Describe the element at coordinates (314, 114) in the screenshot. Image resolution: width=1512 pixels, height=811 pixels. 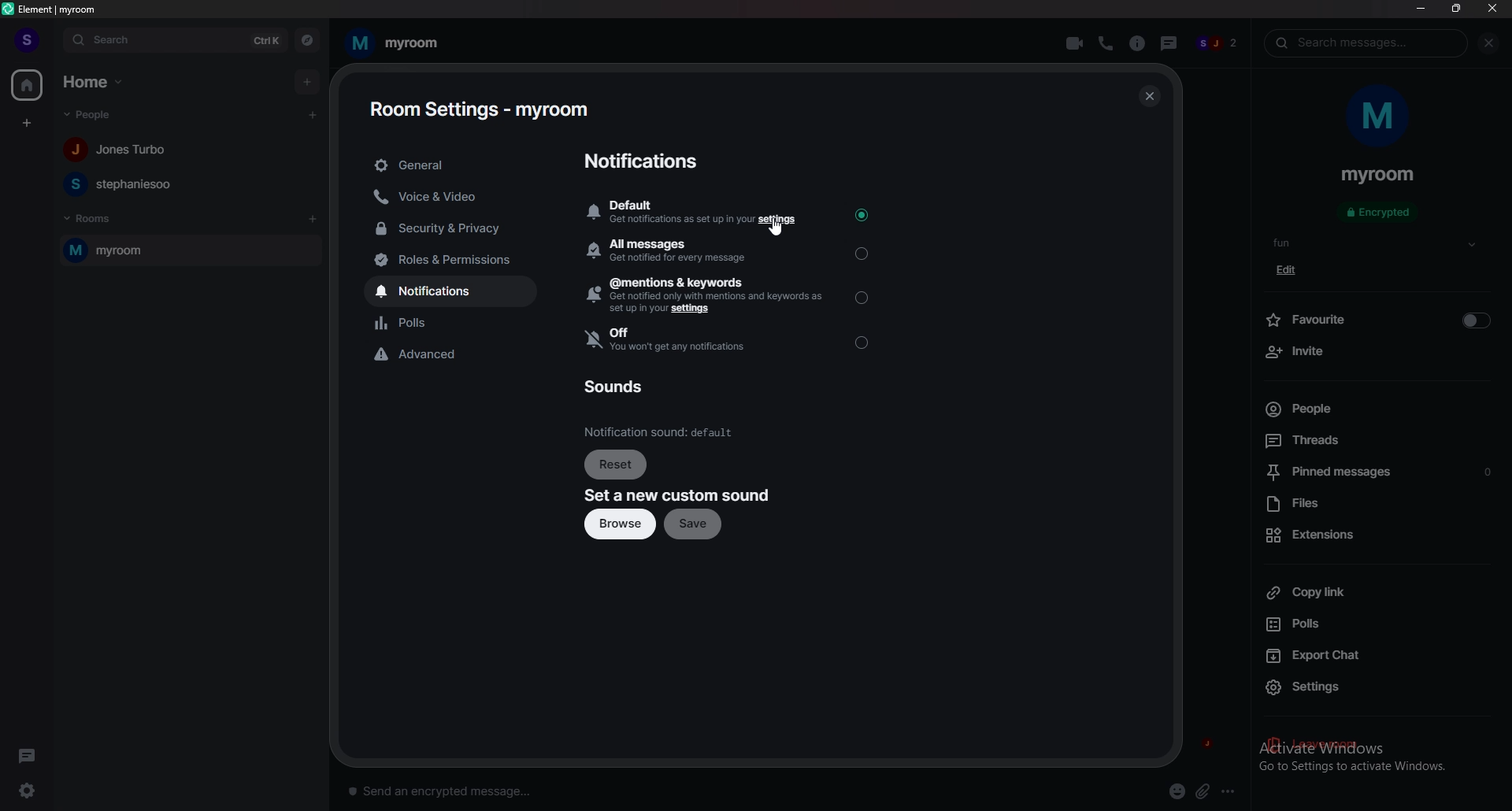
I see `start chat` at that location.